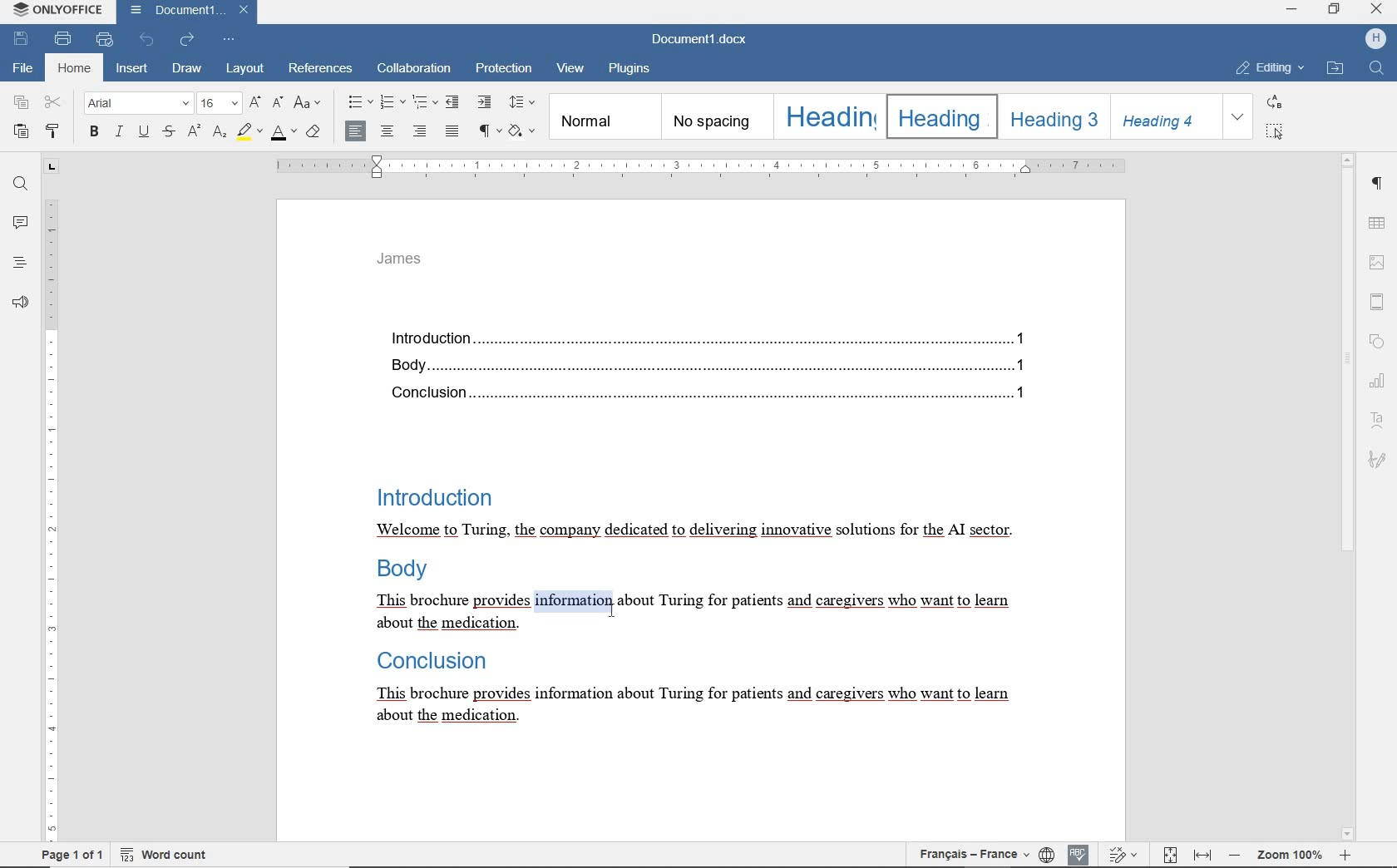 The height and width of the screenshot is (868, 1397). Describe the element at coordinates (570, 72) in the screenshot. I see `VIEW` at that location.